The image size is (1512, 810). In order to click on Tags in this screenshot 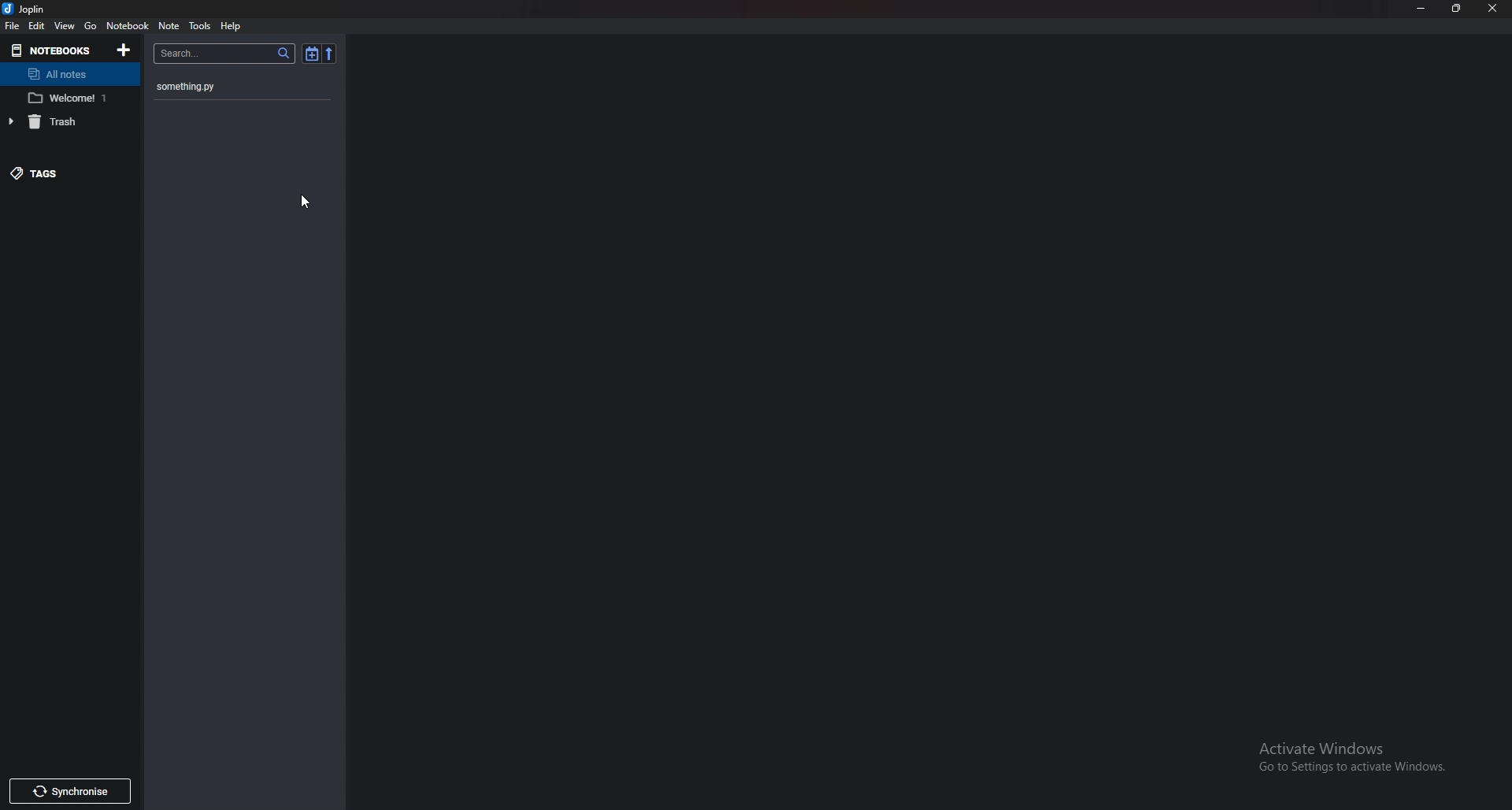, I will do `click(60, 173)`.